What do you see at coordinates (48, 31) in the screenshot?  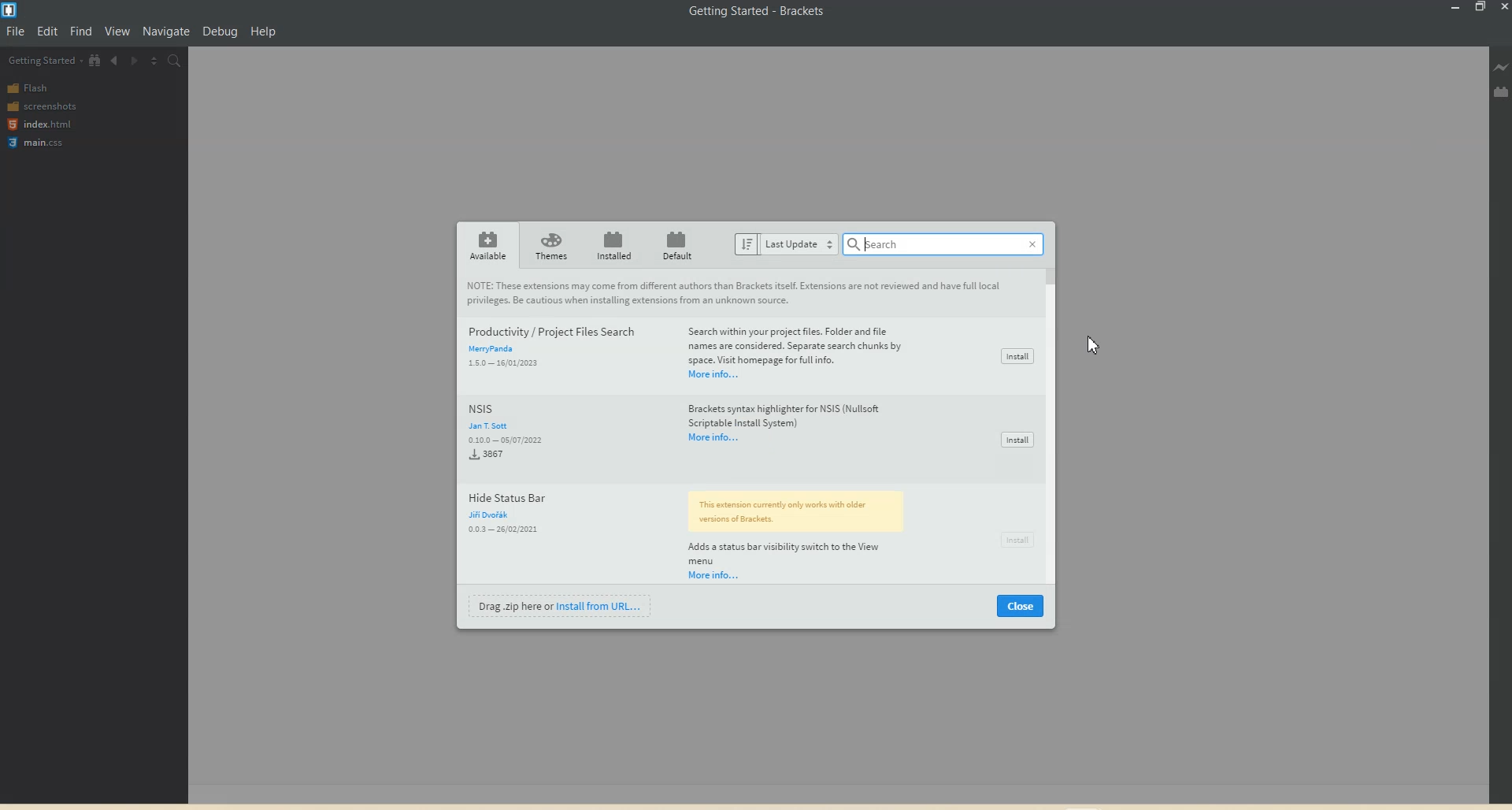 I see `Edit` at bounding box center [48, 31].